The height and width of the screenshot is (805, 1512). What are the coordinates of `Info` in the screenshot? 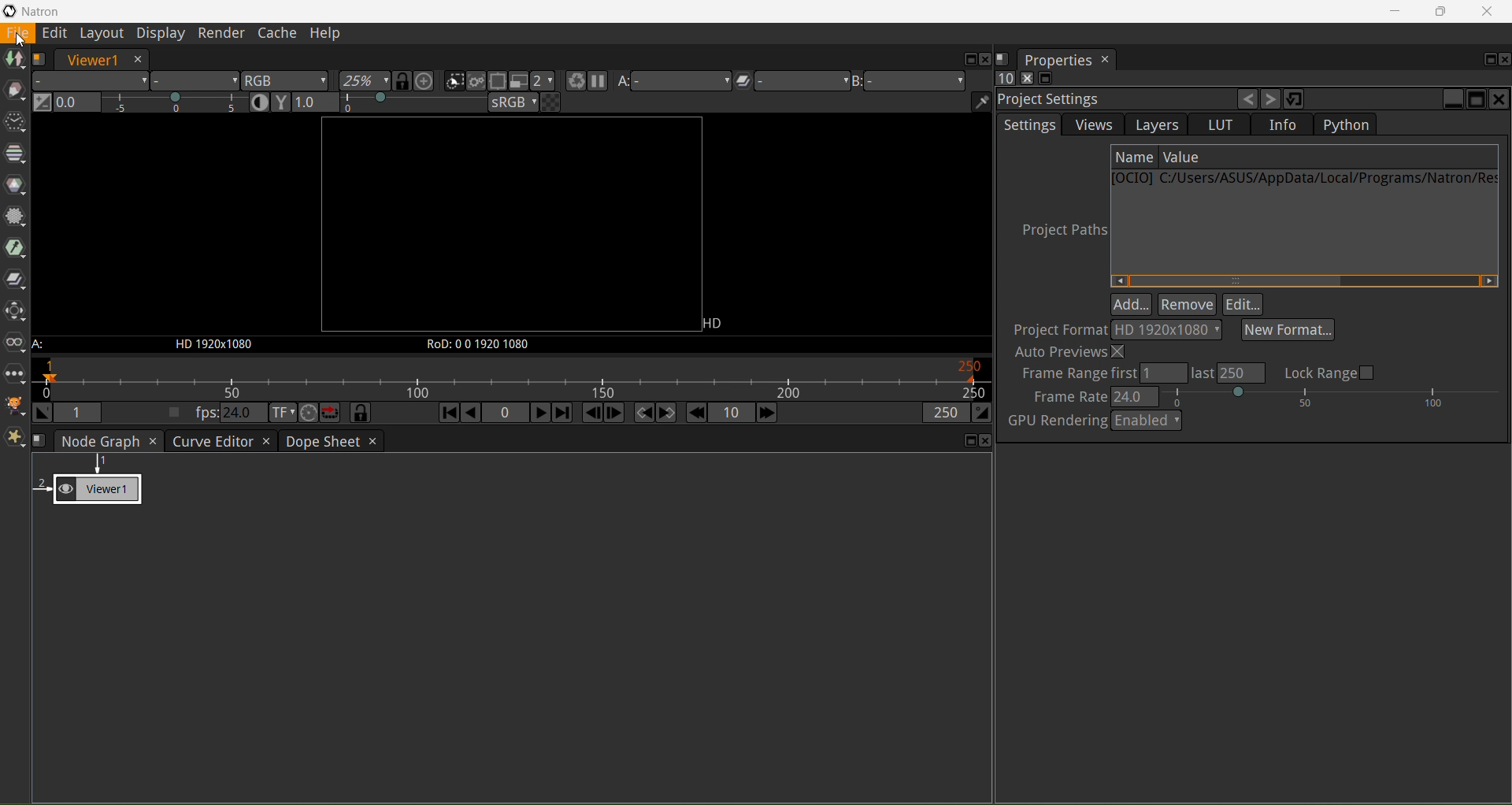 It's located at (1283, 125).